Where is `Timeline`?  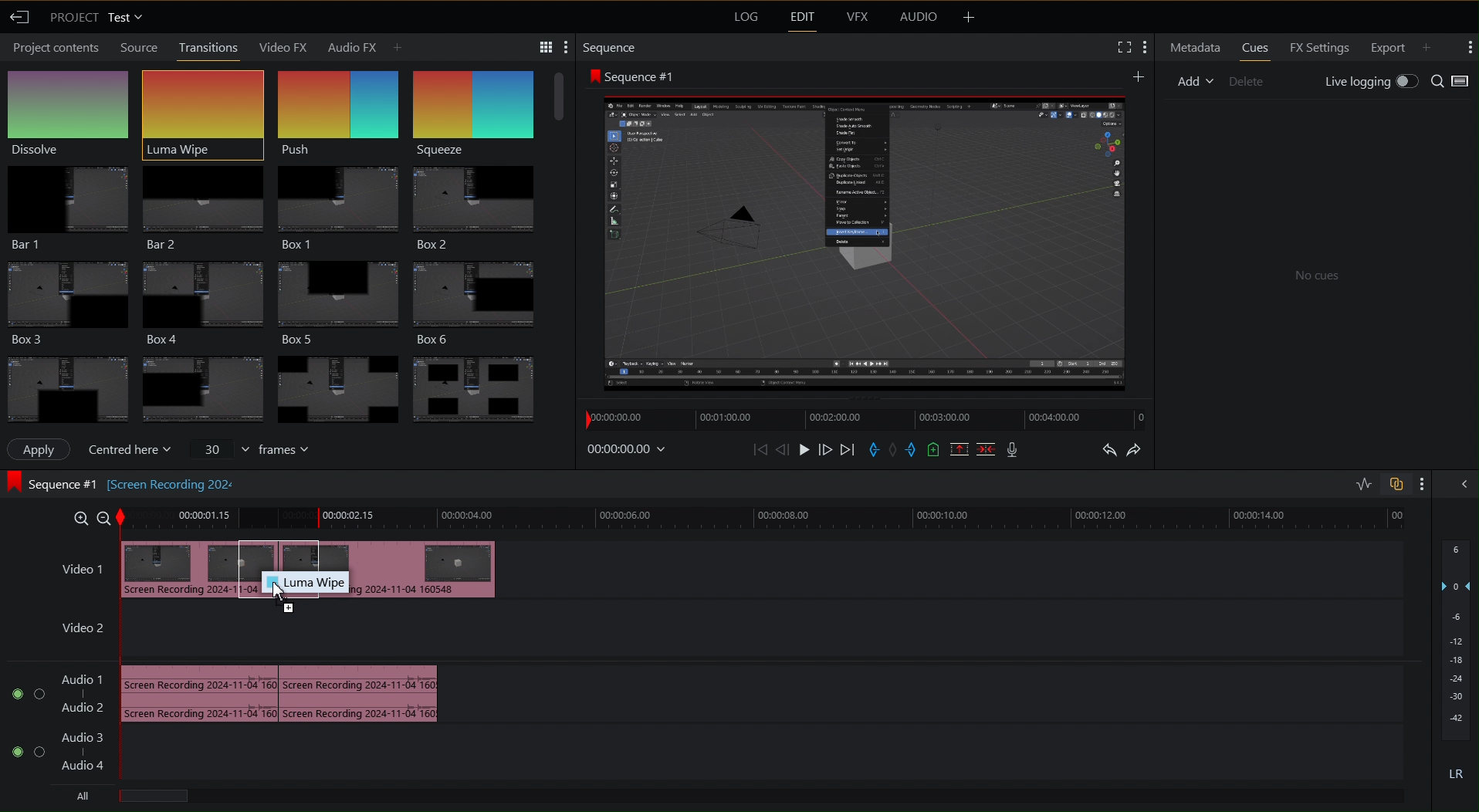 Timeline is located at coordinates (767, 519).